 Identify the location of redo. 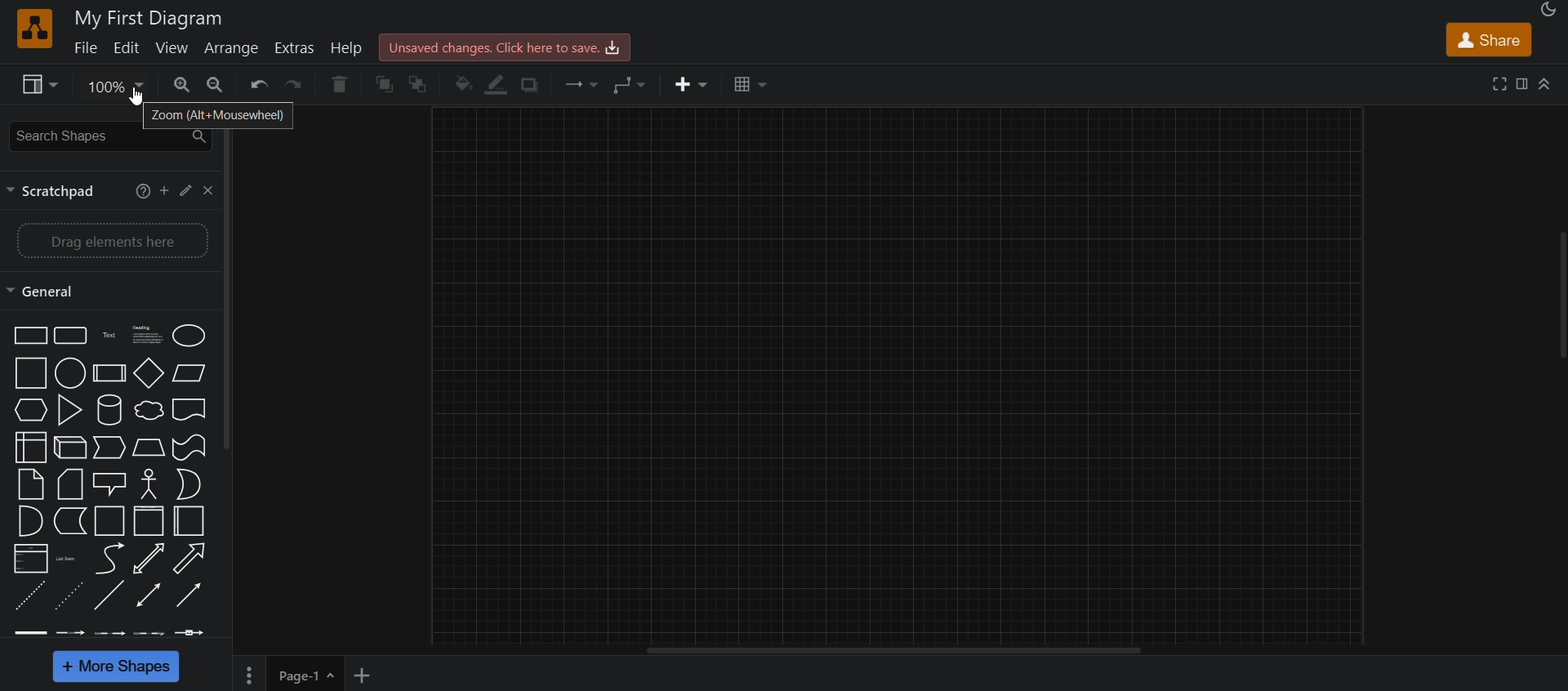
(295, 86).